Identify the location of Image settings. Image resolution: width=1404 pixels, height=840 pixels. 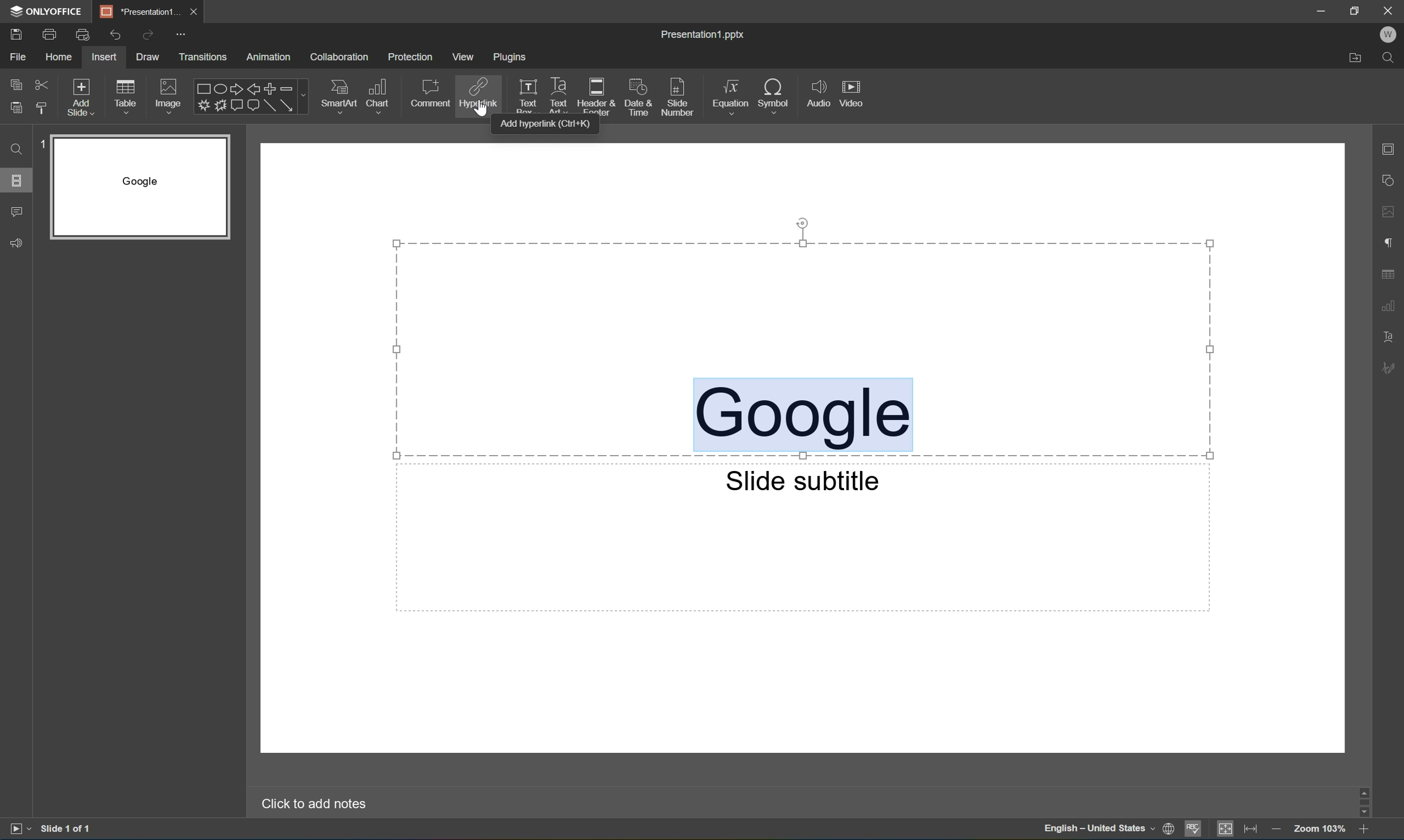
(1391, 213).